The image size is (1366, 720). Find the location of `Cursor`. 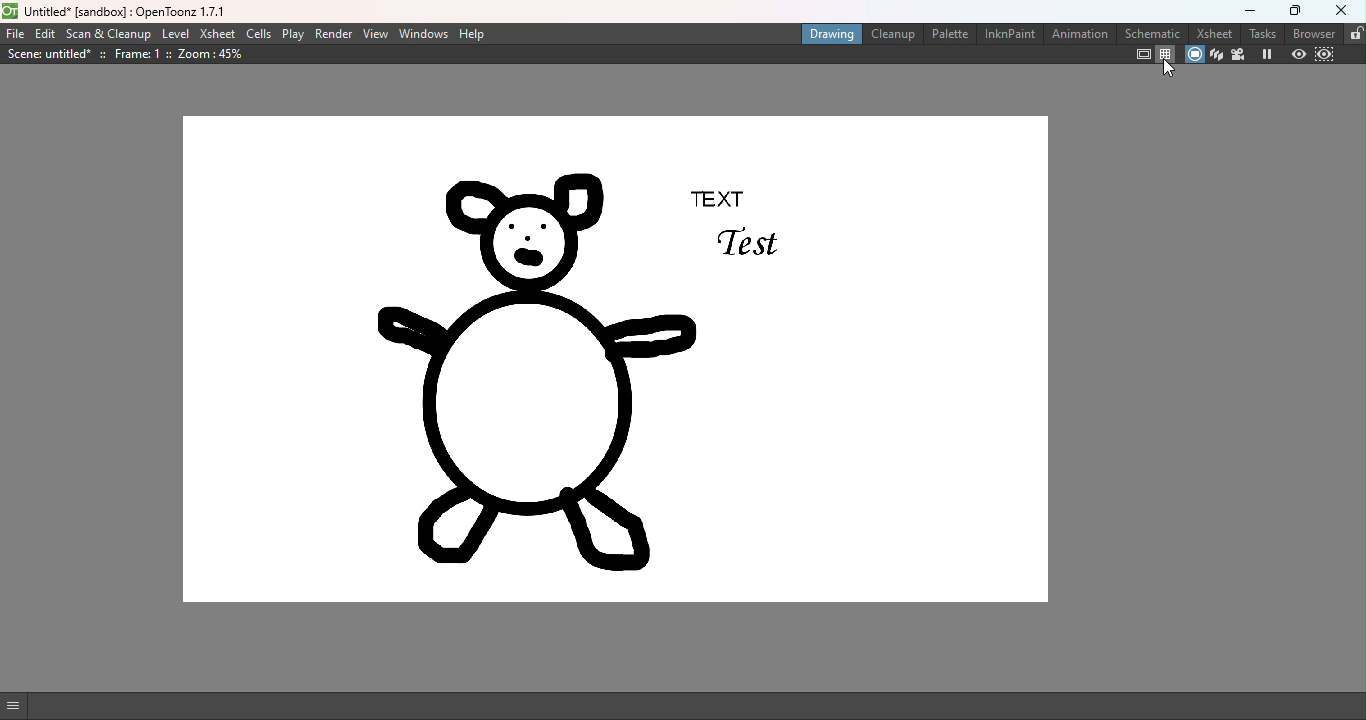

Cursor is located at coordinates (1167, 71).